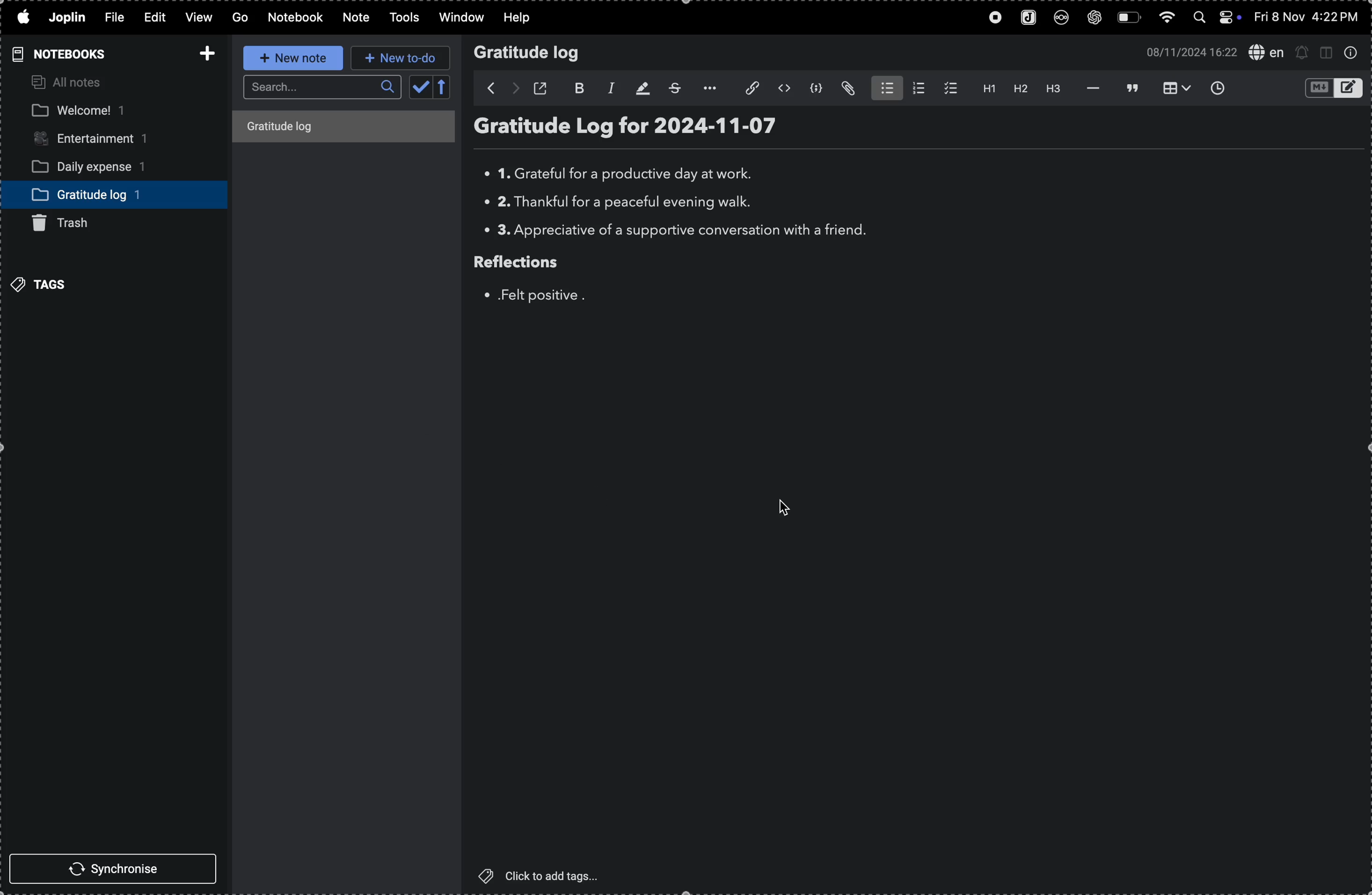  Describe the element at coordinates (748, 87) in the screenshot. I see `insert link` at that location.